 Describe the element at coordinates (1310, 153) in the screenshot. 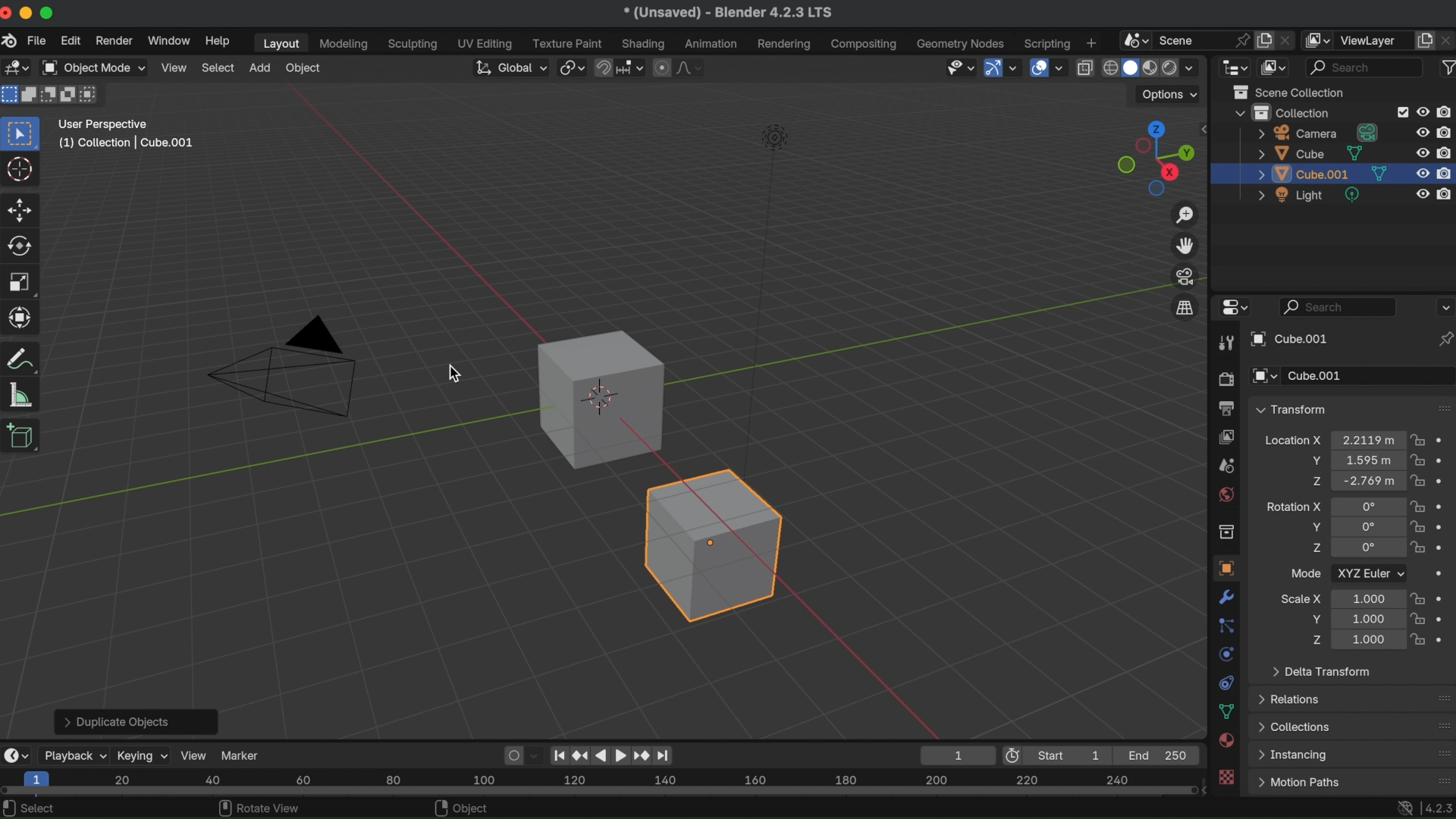

I see `cube` at that location.